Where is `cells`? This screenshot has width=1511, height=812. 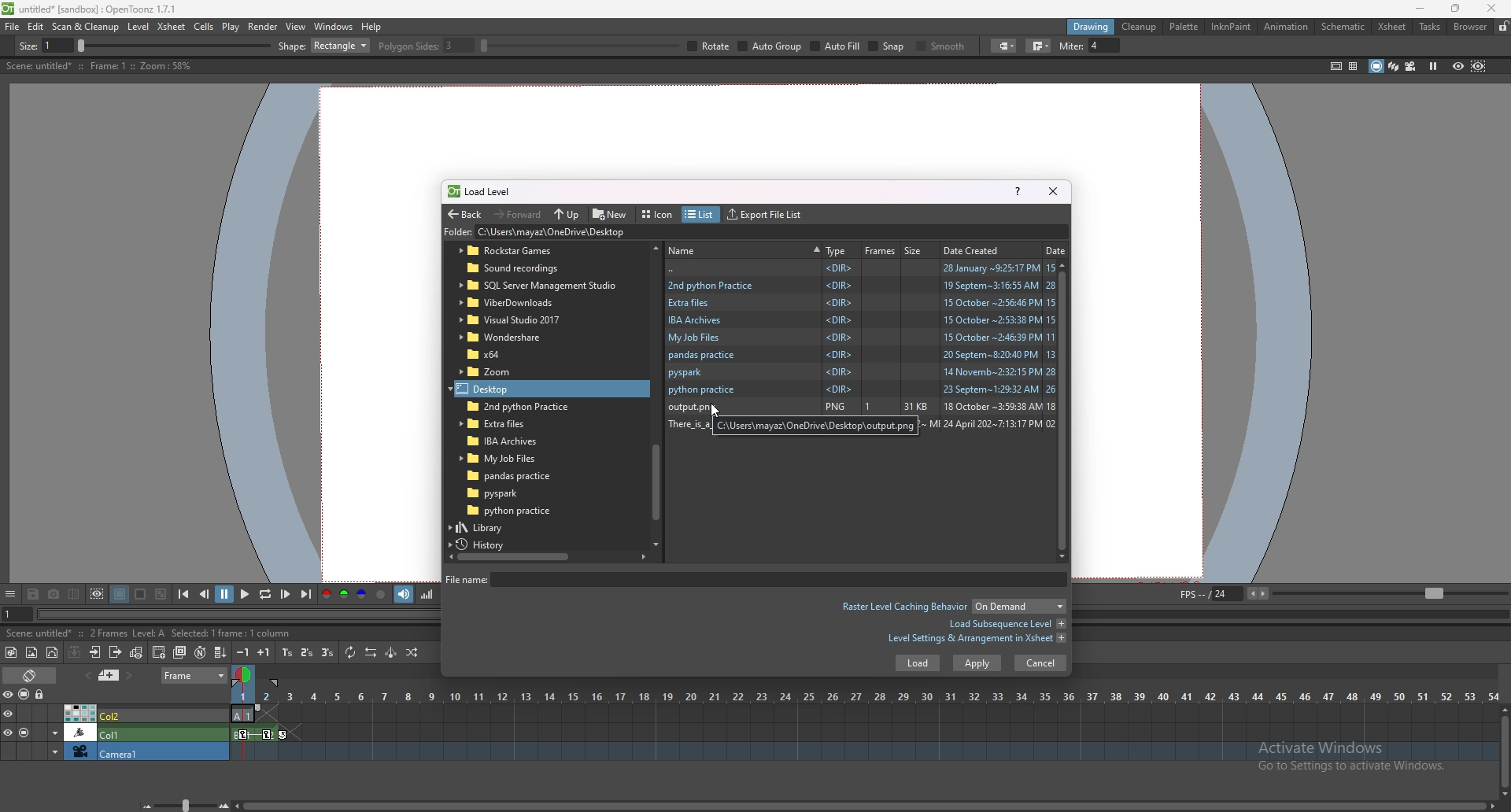 cells is located at coordinates (203, 26).